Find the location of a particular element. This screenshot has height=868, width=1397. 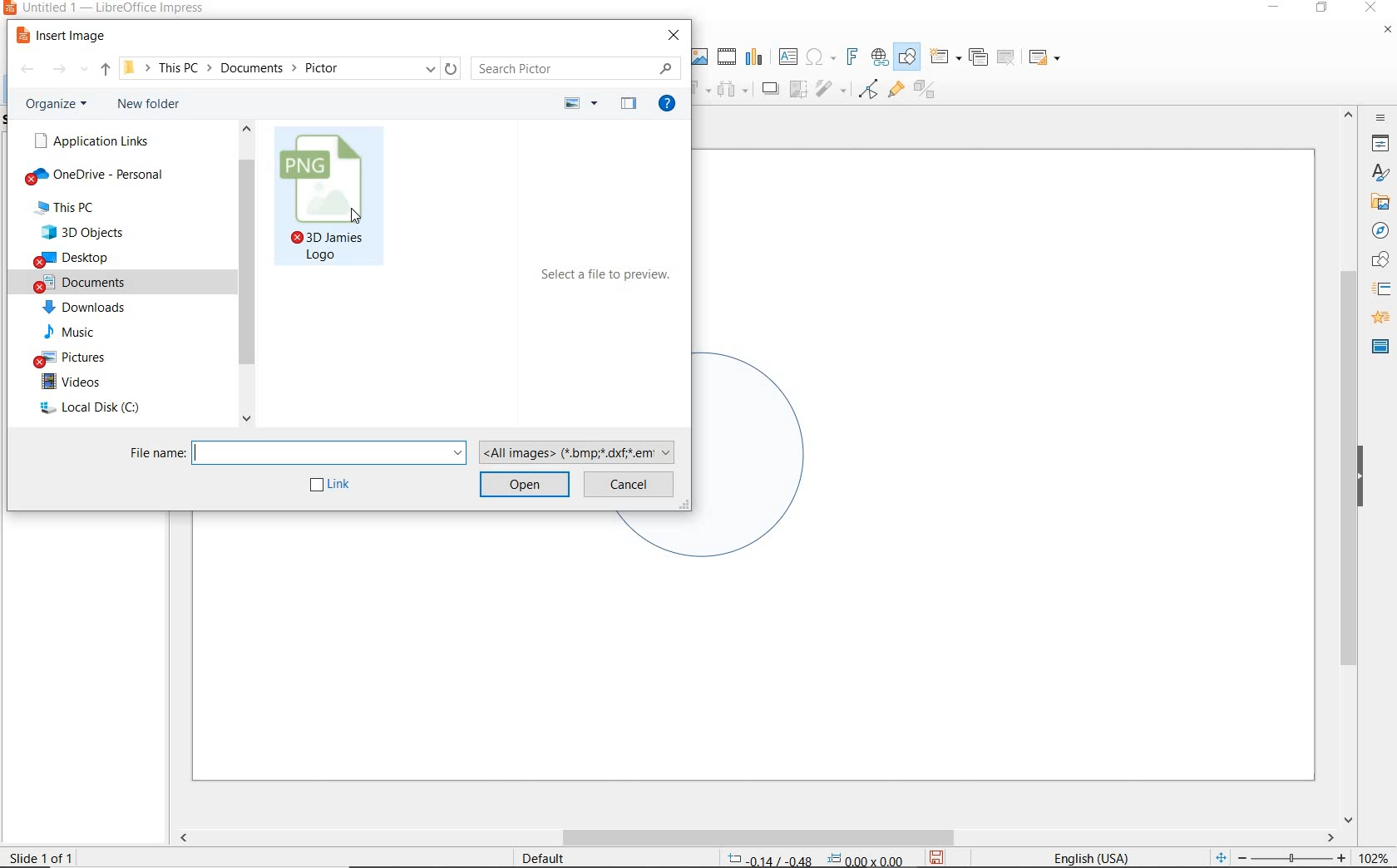

filter is located at coordinates (832, 86).